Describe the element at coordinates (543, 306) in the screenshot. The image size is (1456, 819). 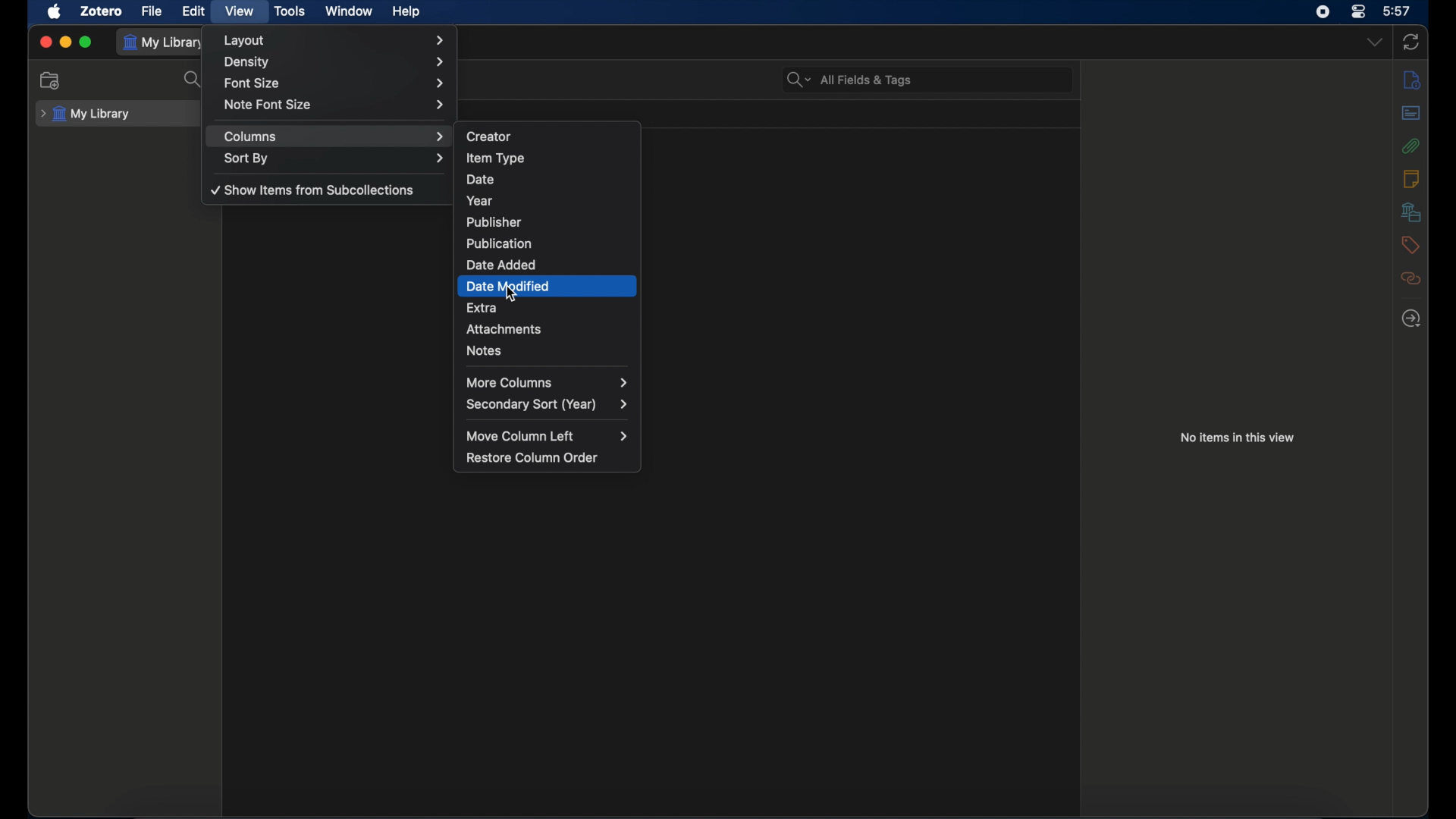
I see `extra` at that location.